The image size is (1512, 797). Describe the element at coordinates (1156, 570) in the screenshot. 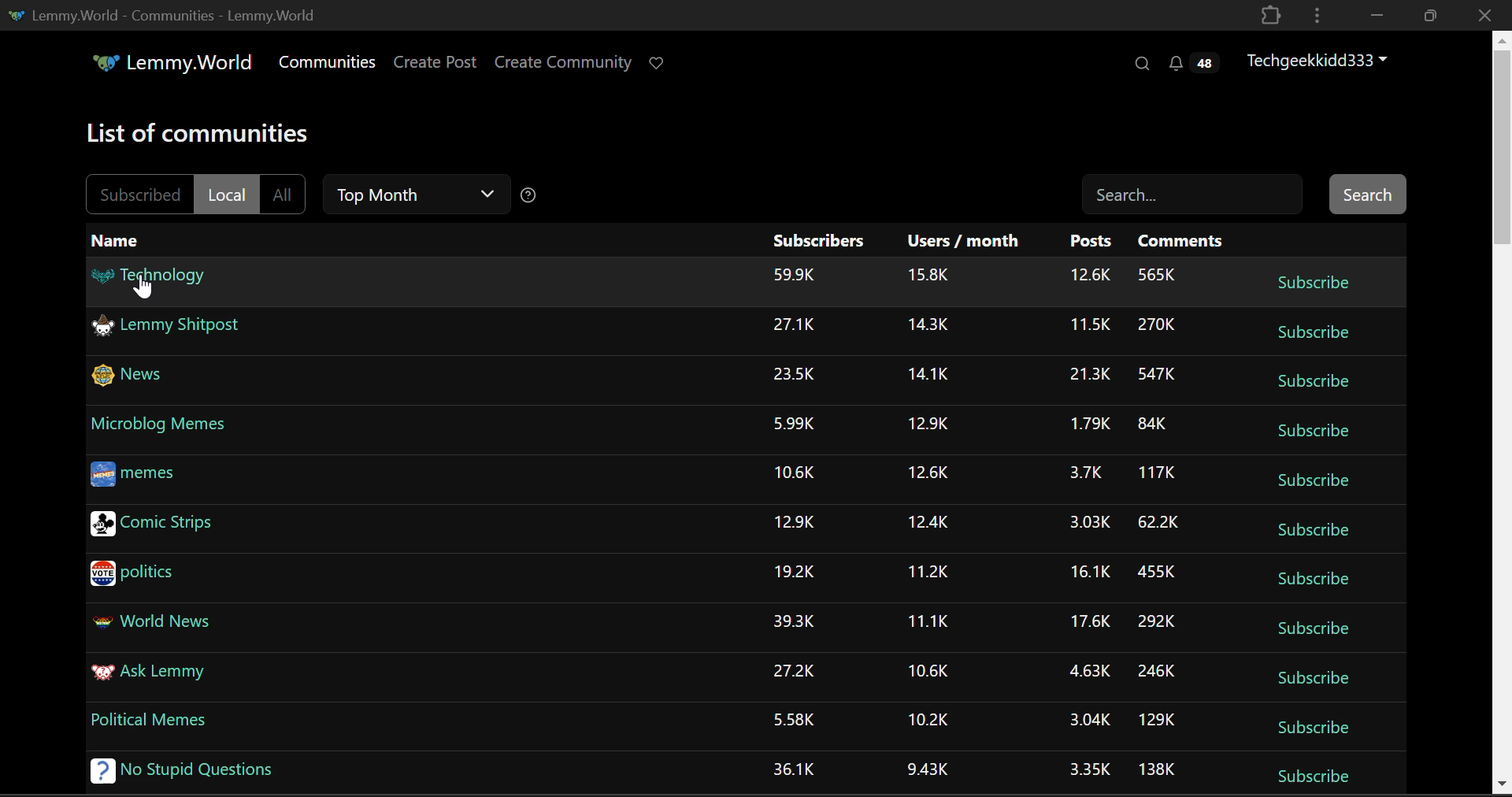

I see `Amount` at that location.